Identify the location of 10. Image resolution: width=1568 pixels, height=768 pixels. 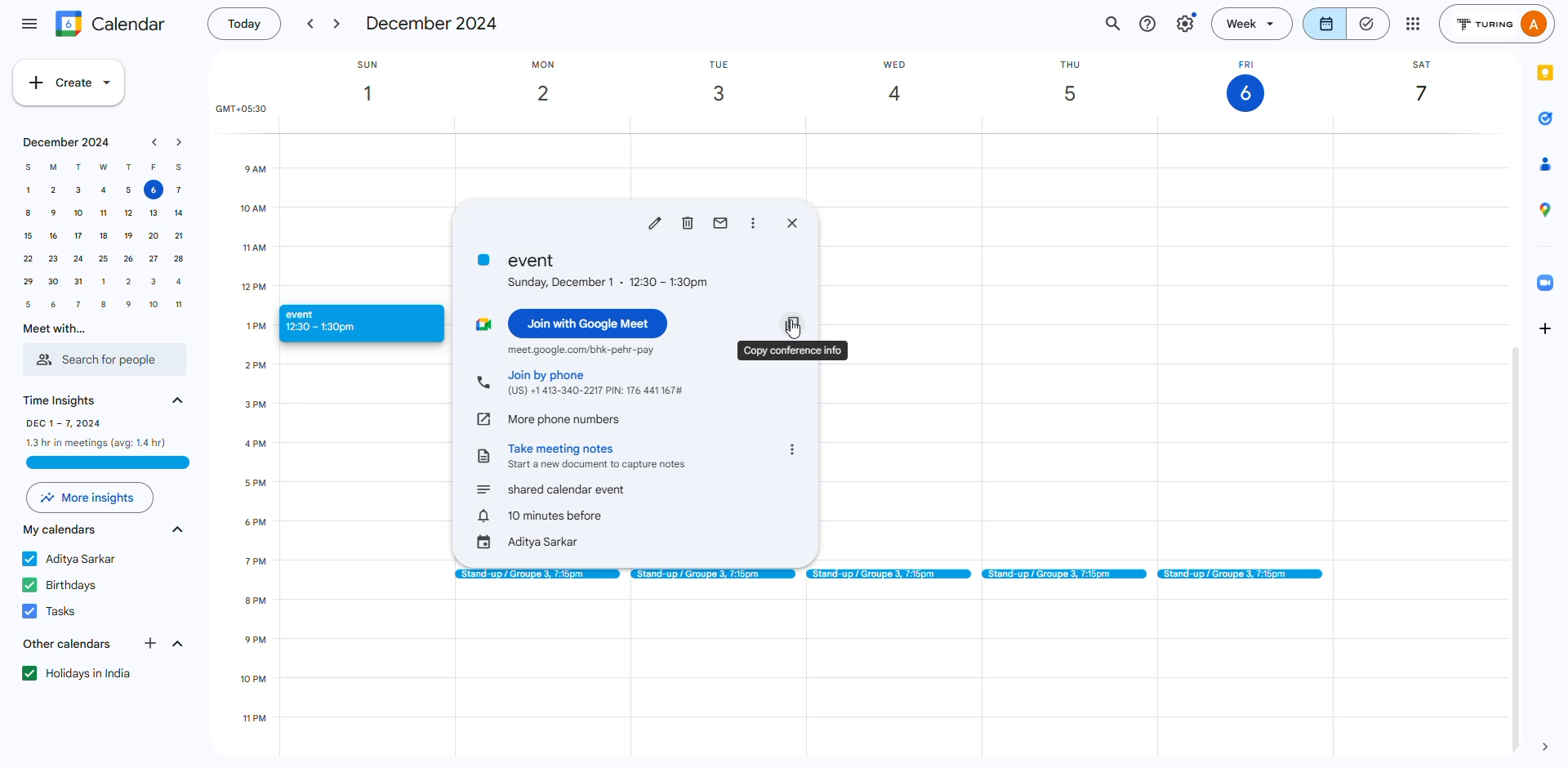
(78, 214).